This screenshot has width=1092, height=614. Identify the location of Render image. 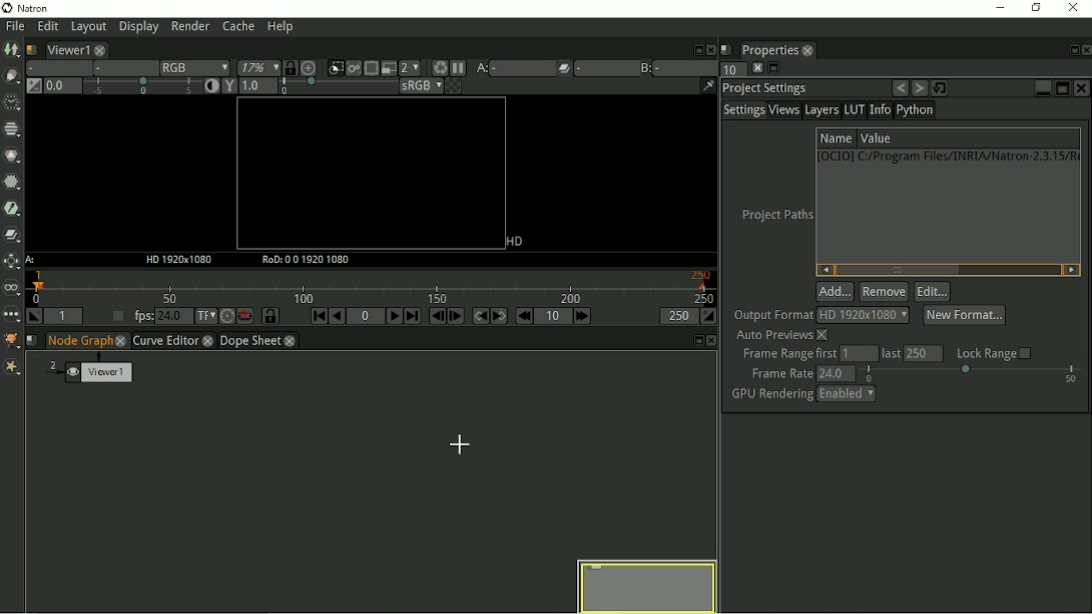
(353, 69).